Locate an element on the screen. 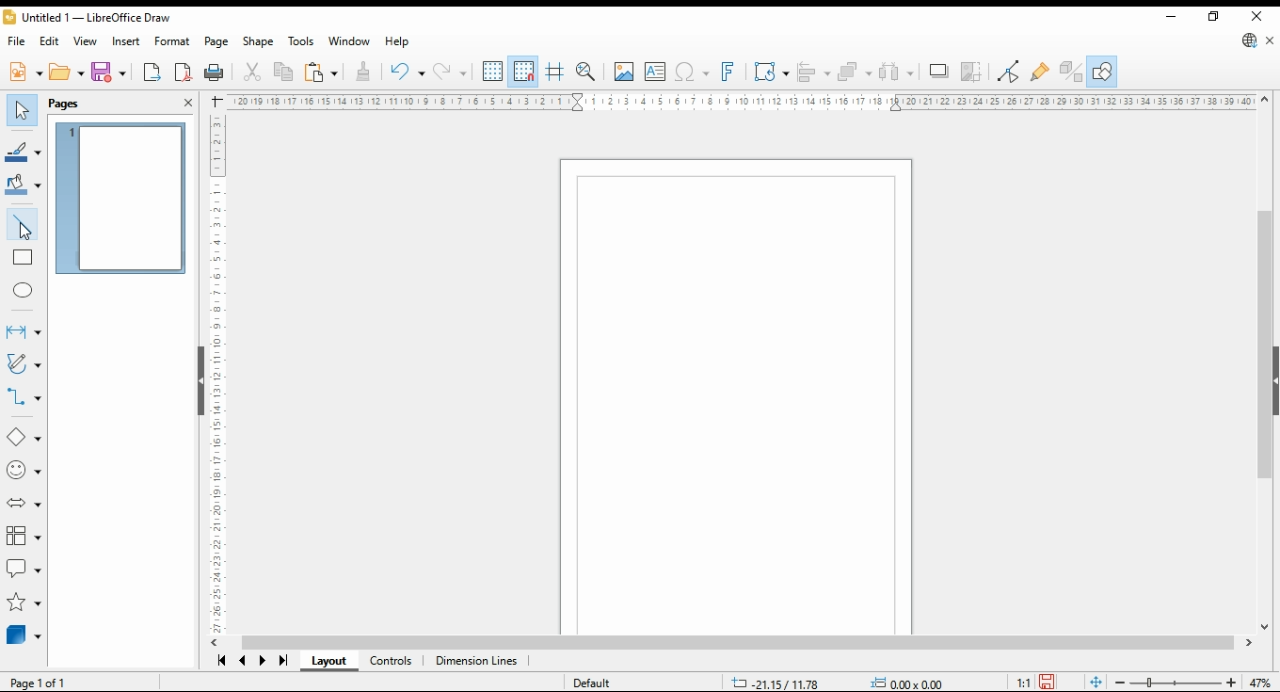 The height and width of the screenshot is (692, 1280). previous page is located at coordinates (244, 662).